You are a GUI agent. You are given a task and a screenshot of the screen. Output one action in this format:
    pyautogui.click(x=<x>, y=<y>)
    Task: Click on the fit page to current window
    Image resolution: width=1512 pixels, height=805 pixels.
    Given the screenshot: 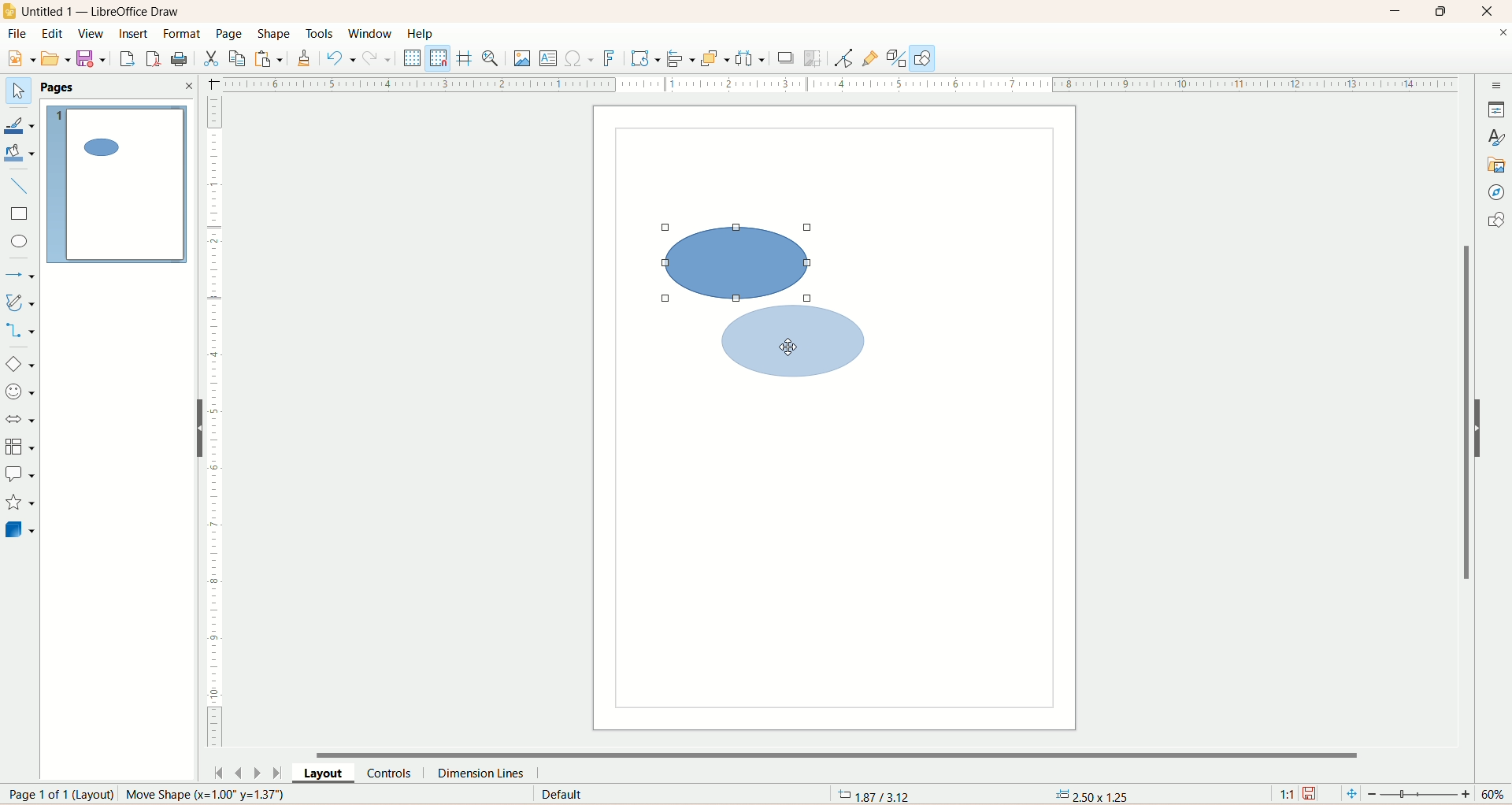 What is the action you would take?
    pyautogui.click(x=1349, y=794)
    